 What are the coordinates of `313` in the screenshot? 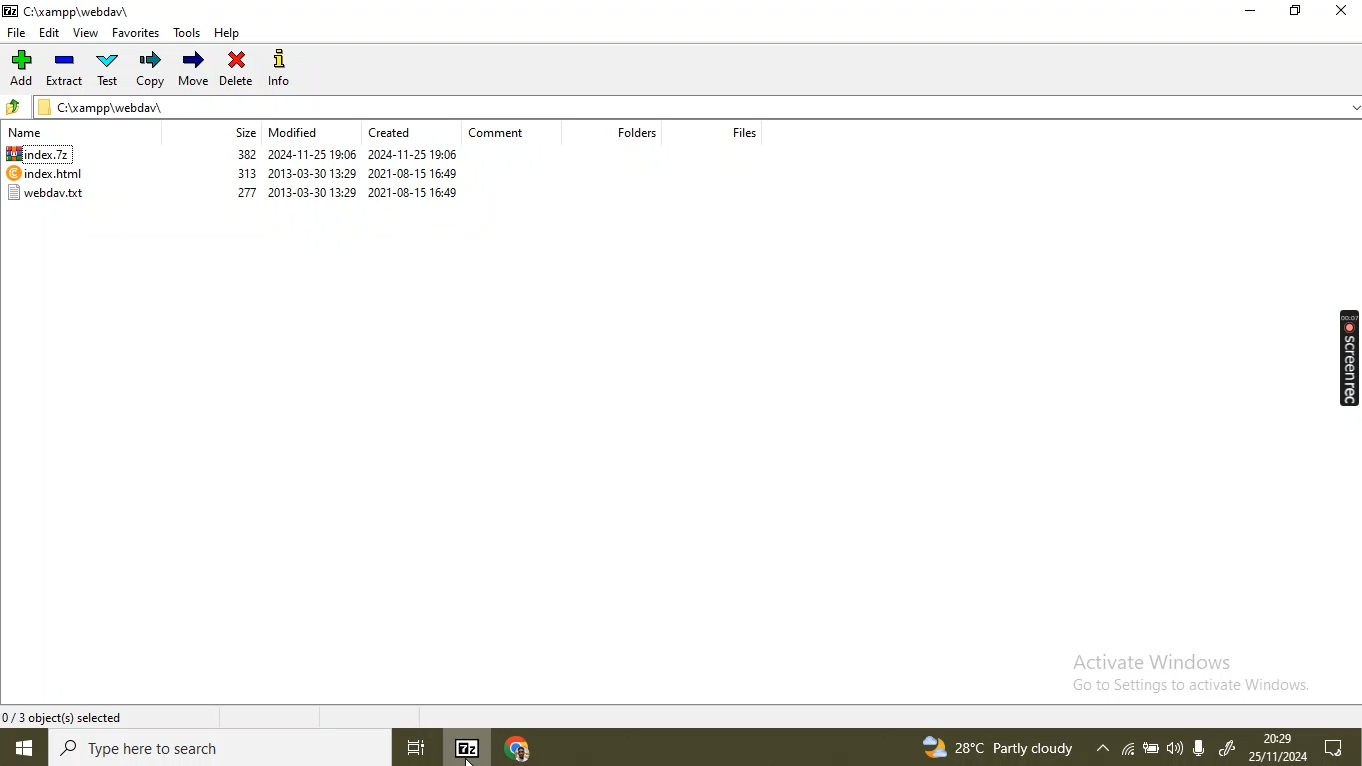 It's located at (245, 173).